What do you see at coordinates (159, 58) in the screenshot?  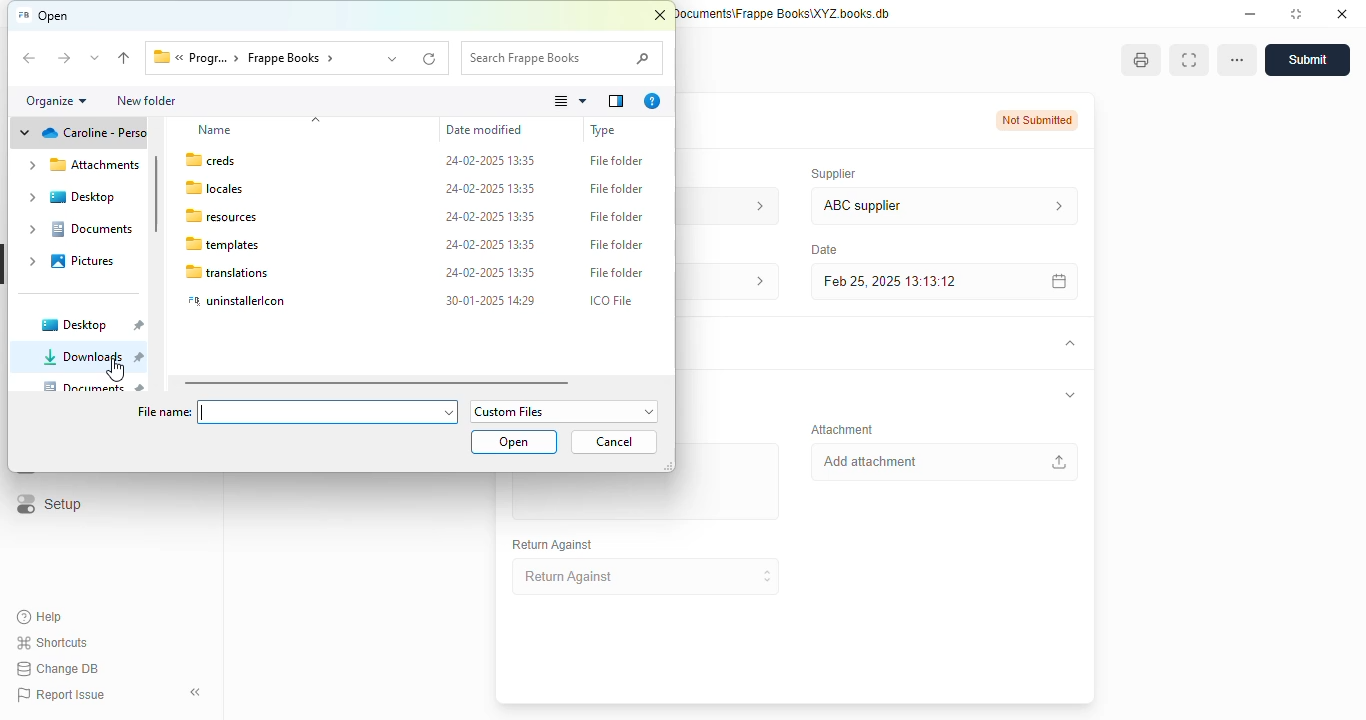 I see `file icon` at bounding box center [159, 58].